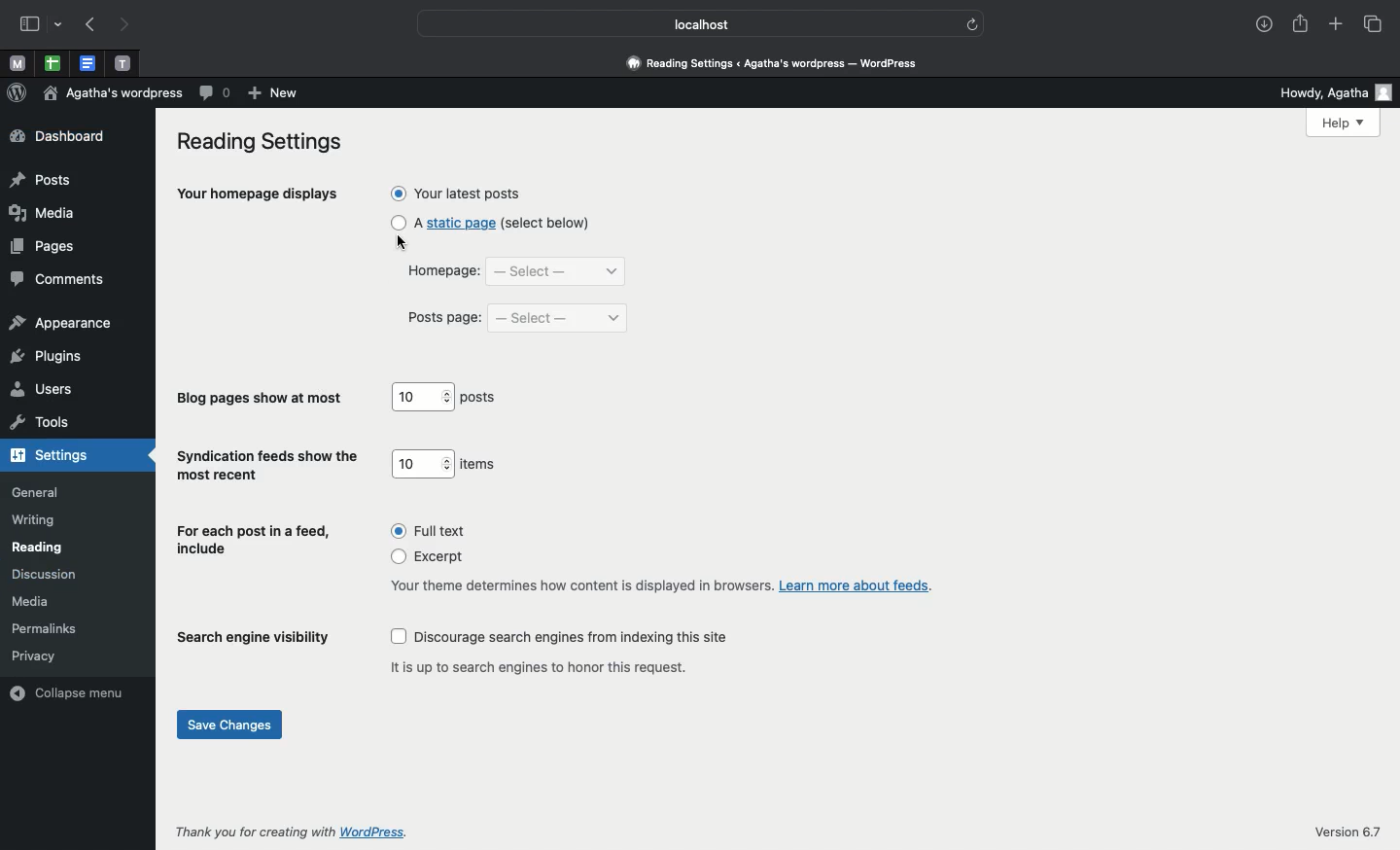 The image size is (1400, 850). What do you see at coordinates (439, 274) in the screenshot?
I see `Homepage` at bounding box center [439, 274].